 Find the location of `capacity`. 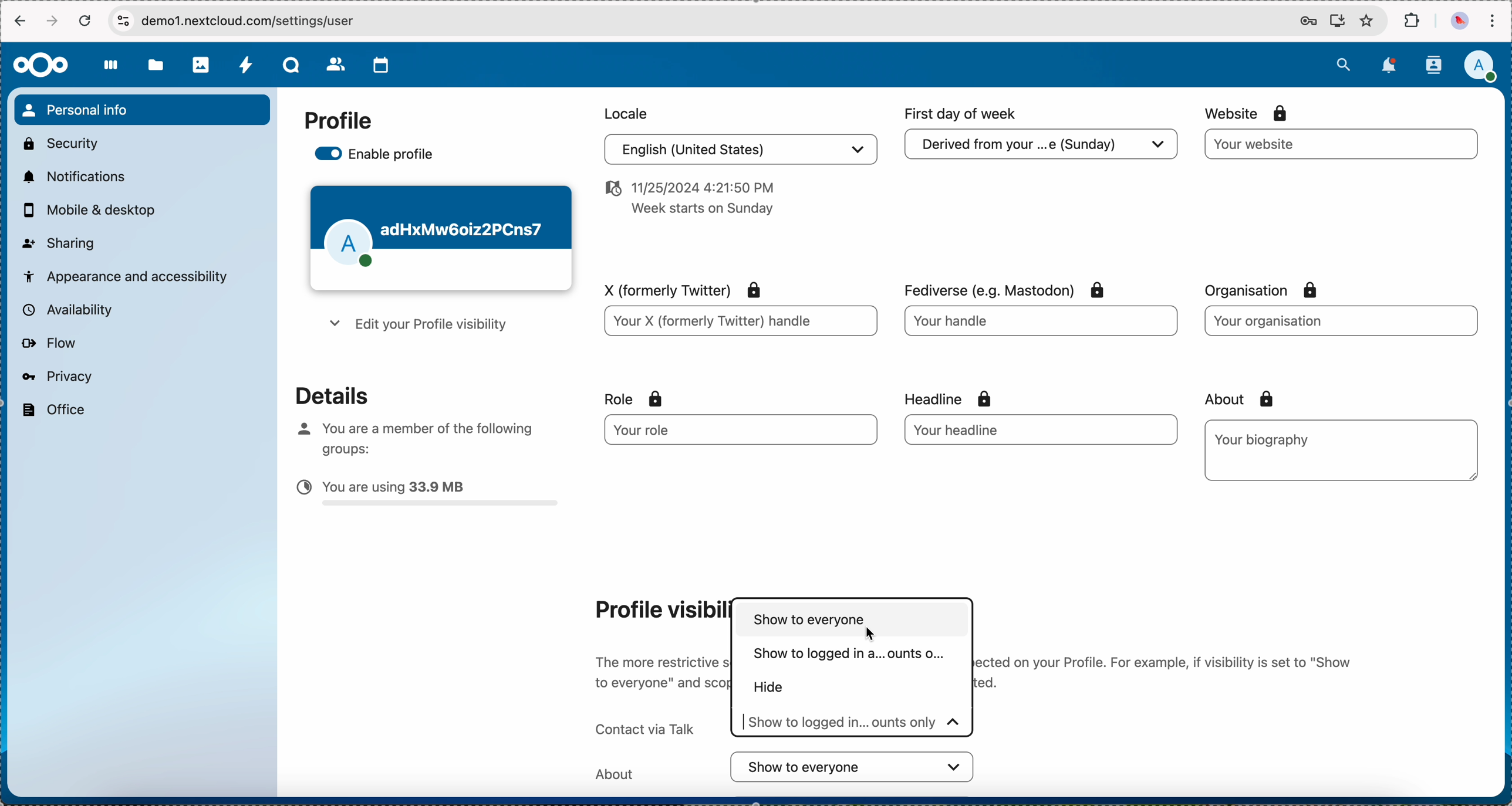

capacity is located at coordinates (428, 496).